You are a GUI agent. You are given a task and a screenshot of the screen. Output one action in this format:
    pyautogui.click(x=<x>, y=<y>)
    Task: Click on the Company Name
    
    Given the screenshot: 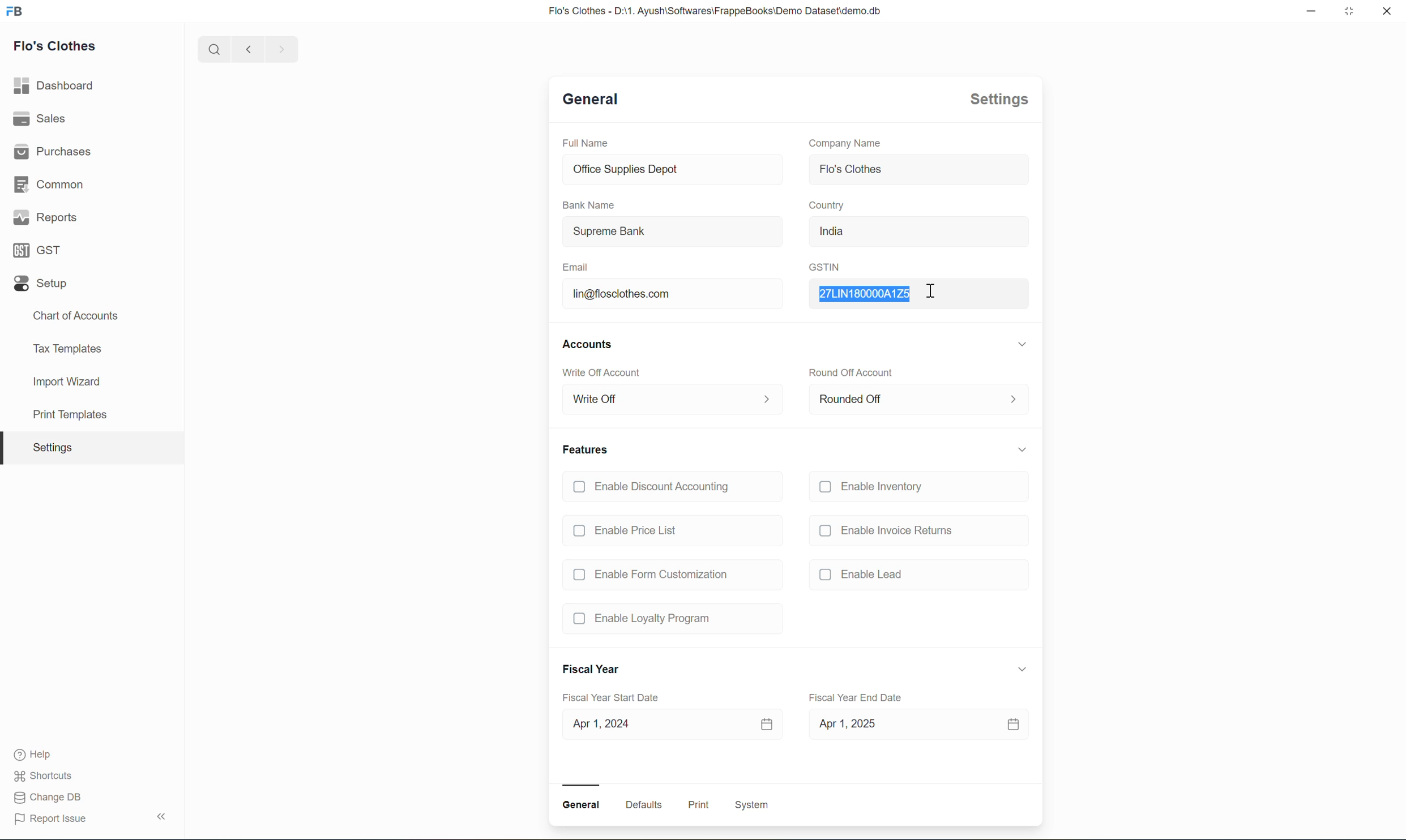 What is the action you would take?
    pyautogui.click(x=845, y=144)
    